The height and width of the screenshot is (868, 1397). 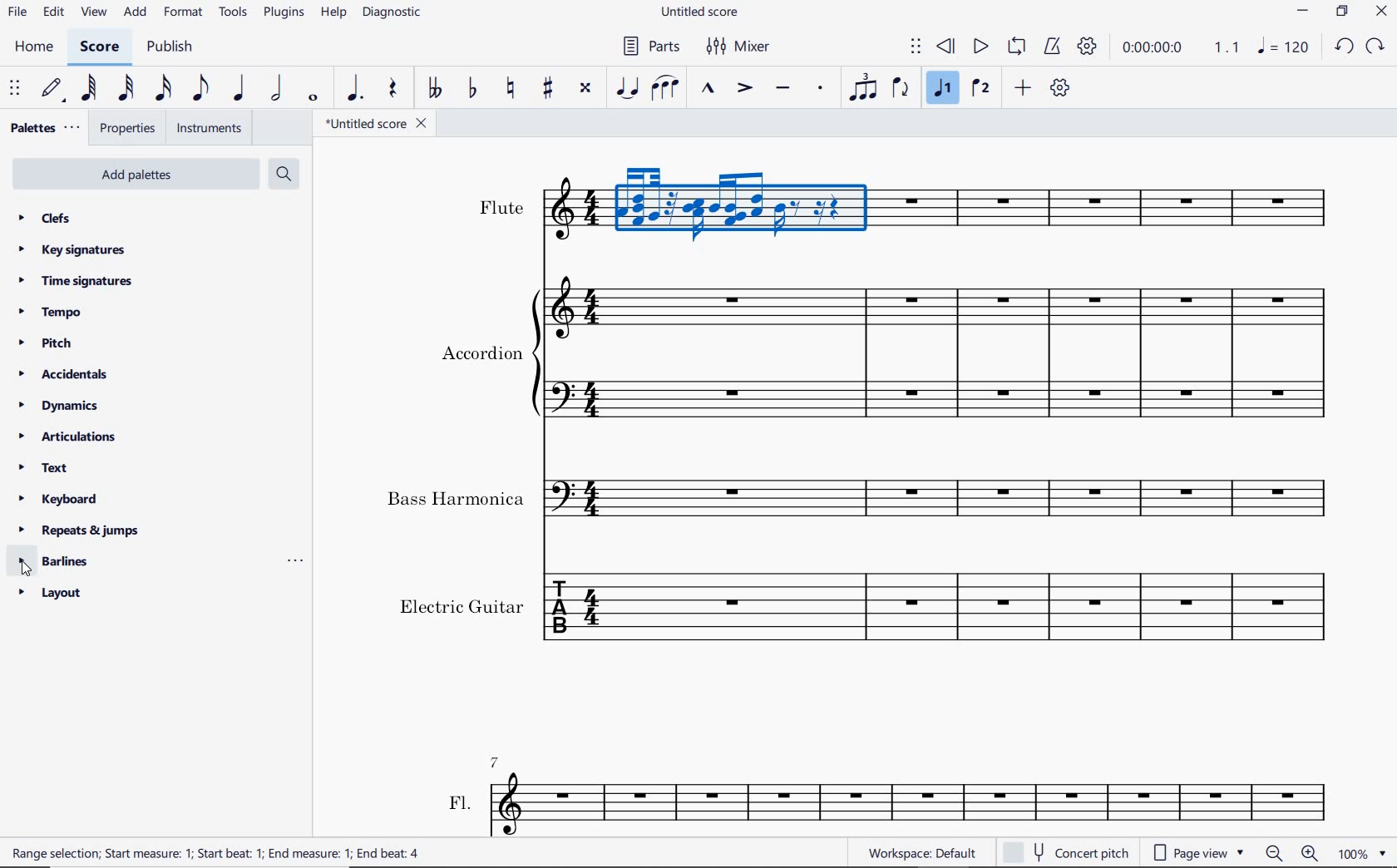 What do you see at coordinates (72, 251) in the screenshot?
I see `key signatures` at bounding box center [72, 251].